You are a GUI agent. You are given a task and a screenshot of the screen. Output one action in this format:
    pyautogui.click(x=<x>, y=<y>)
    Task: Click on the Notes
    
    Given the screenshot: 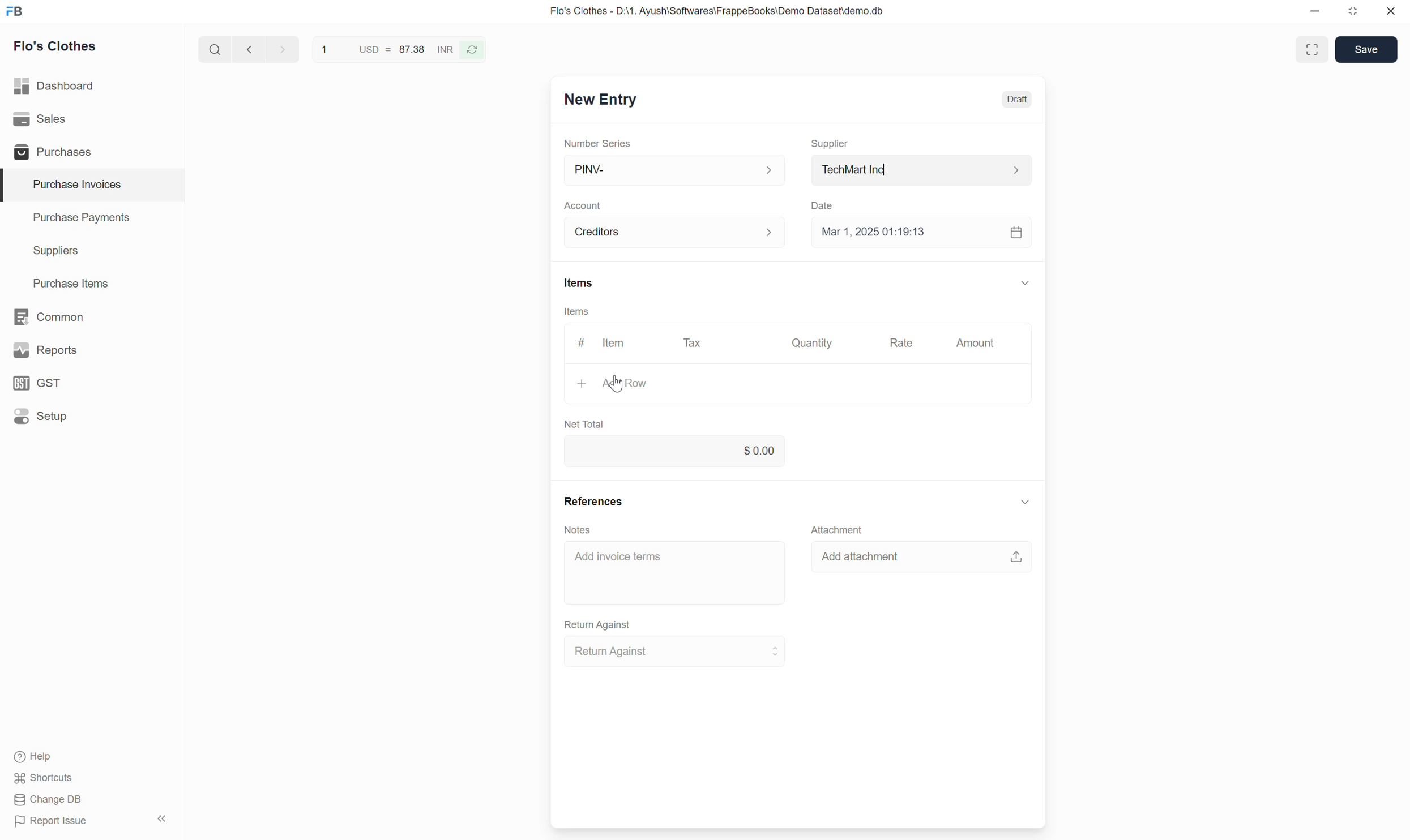 What is the action you would take?
    pyautogui.click(x=580, y=530)
    